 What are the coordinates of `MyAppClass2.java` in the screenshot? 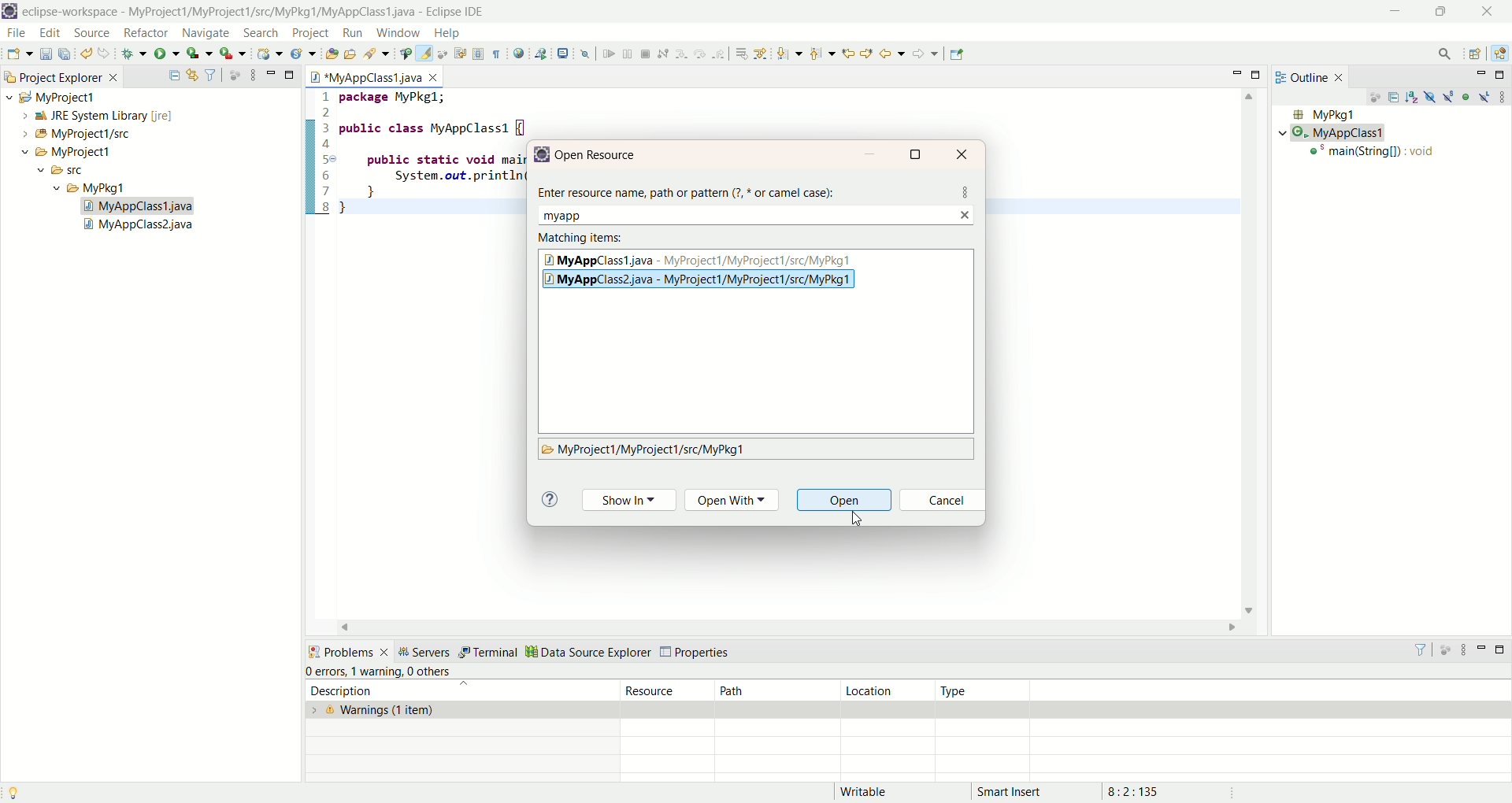 It's located at (141, 227).